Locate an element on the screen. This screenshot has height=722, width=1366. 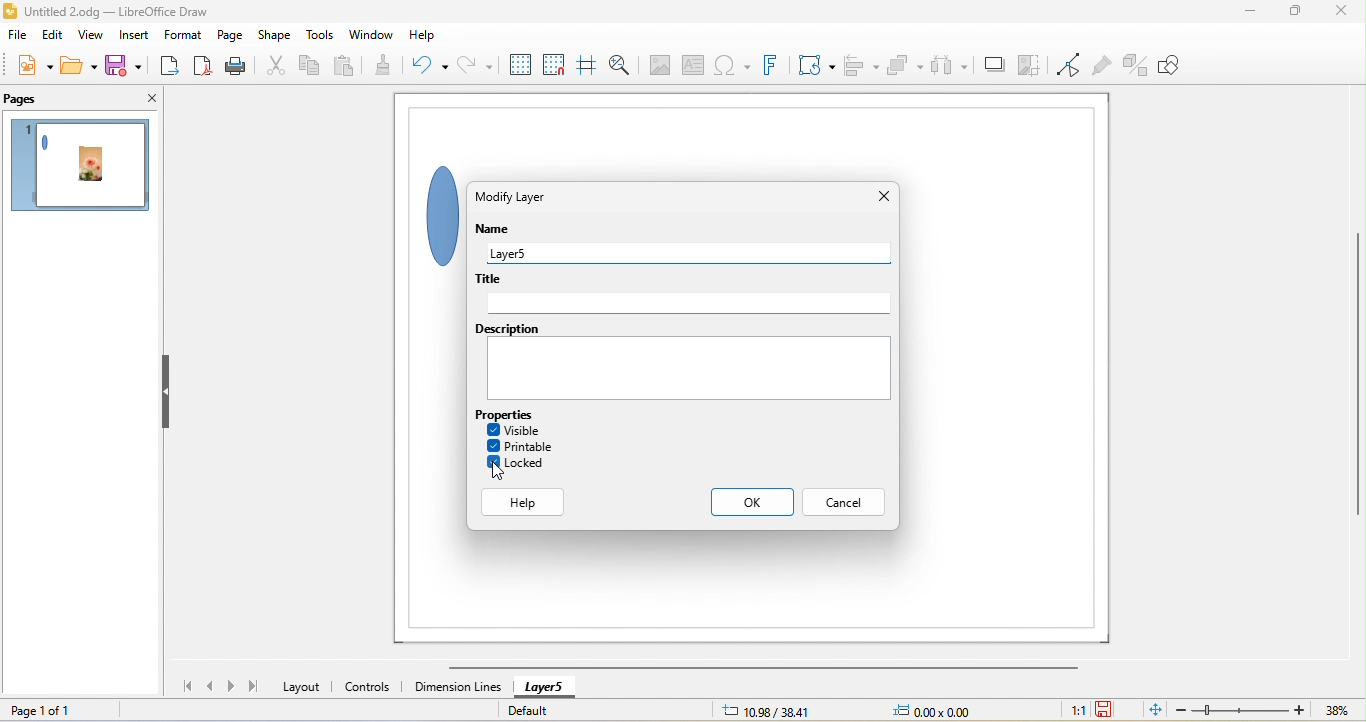
previous page is located at coordinates (211, 686).